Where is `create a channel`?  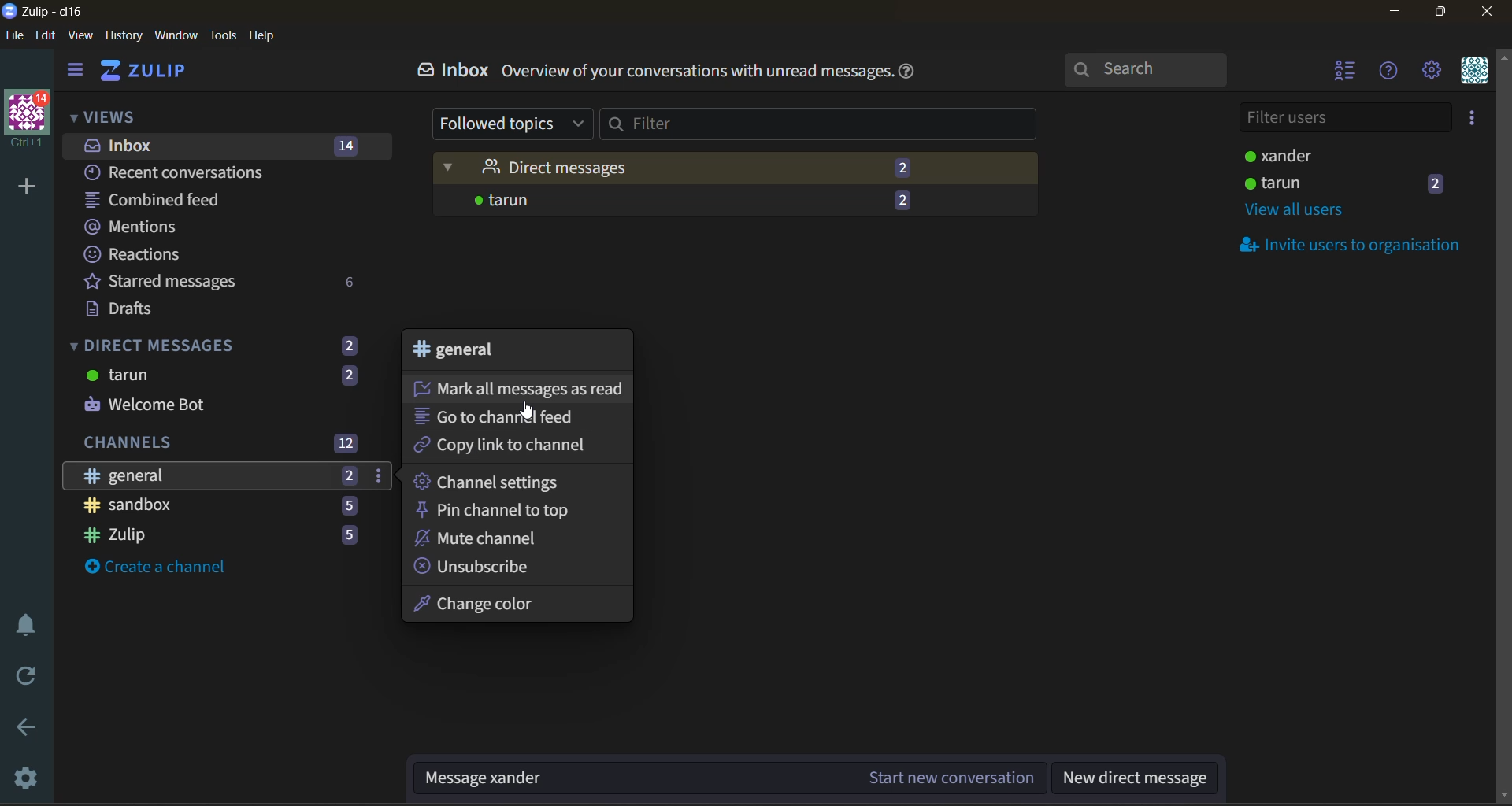
create a channel is located at coordinates (169, 571).